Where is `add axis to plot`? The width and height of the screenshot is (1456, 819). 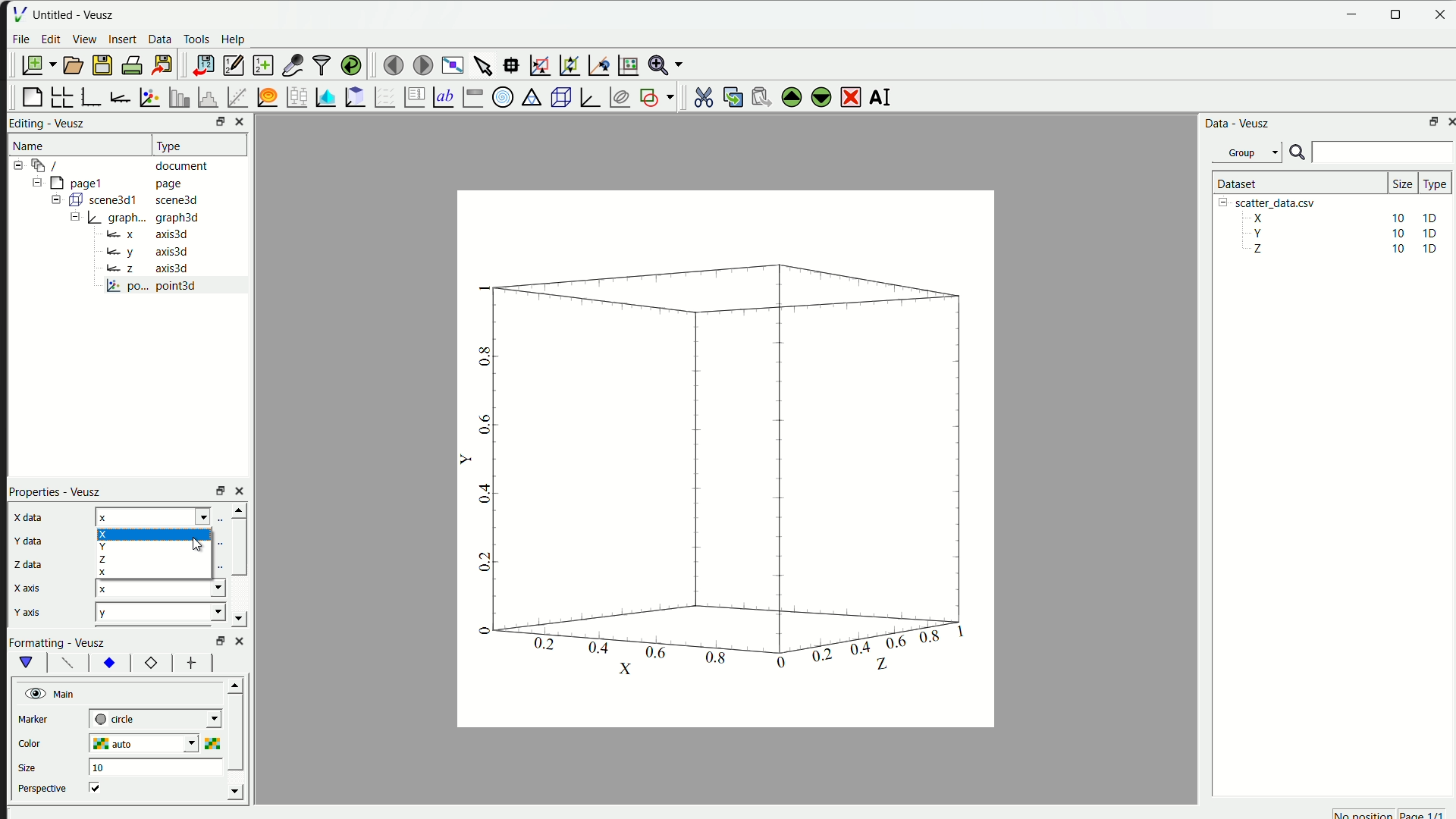
add axis to plot is located at coordinates (118, 96).